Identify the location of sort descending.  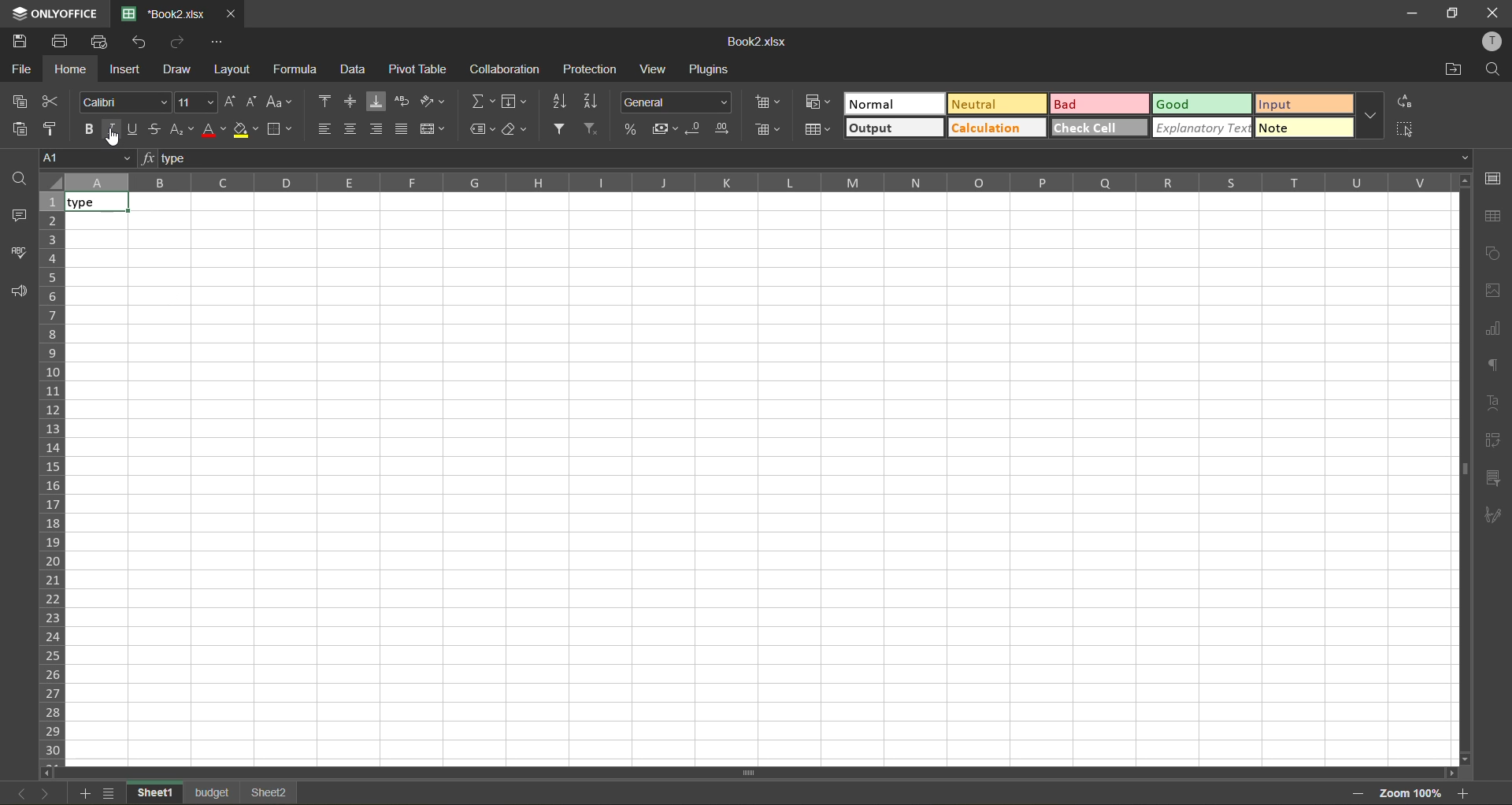
(591, 102).